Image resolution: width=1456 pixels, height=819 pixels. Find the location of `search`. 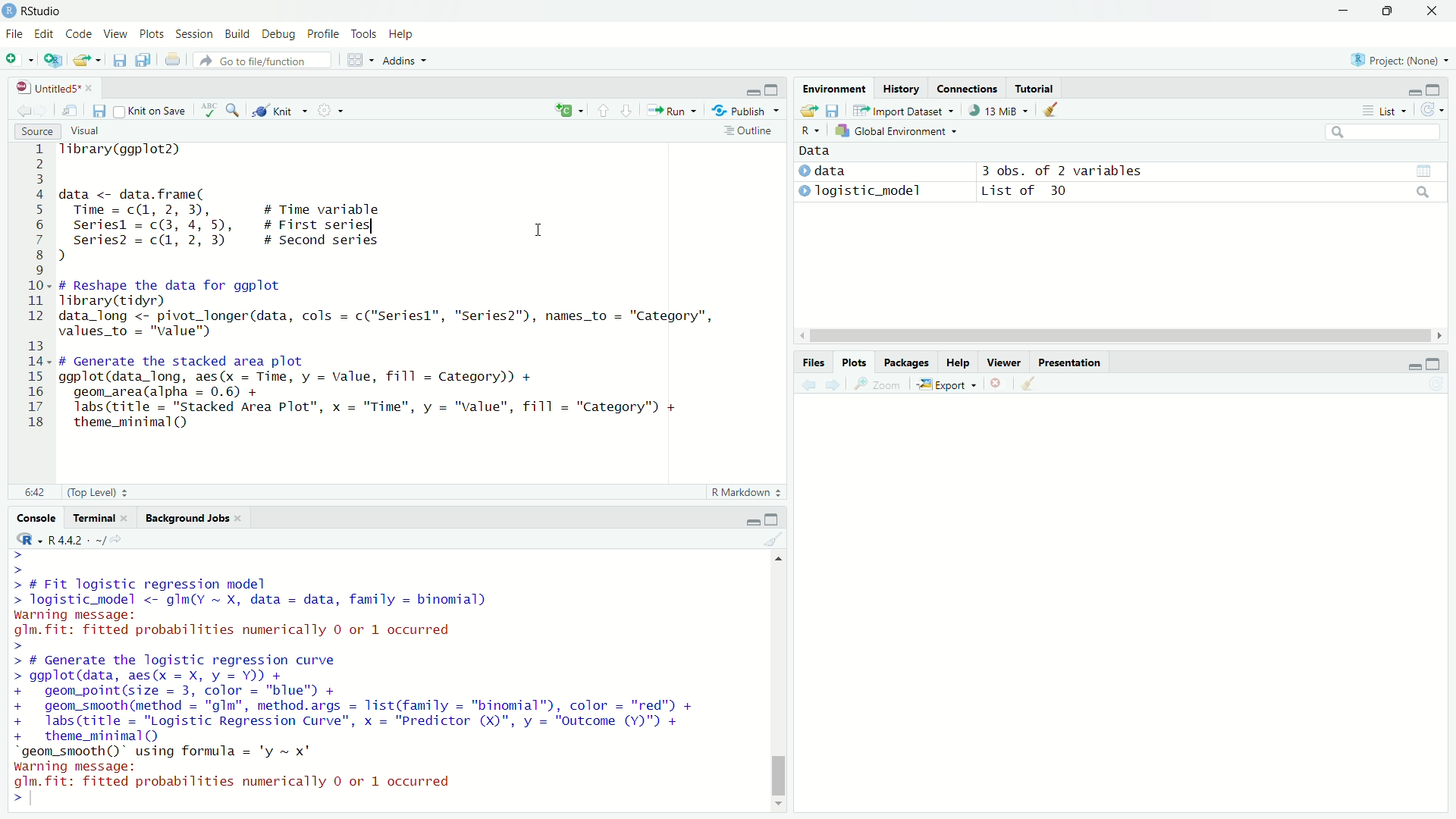

search is located at coordinates (1384, 134).